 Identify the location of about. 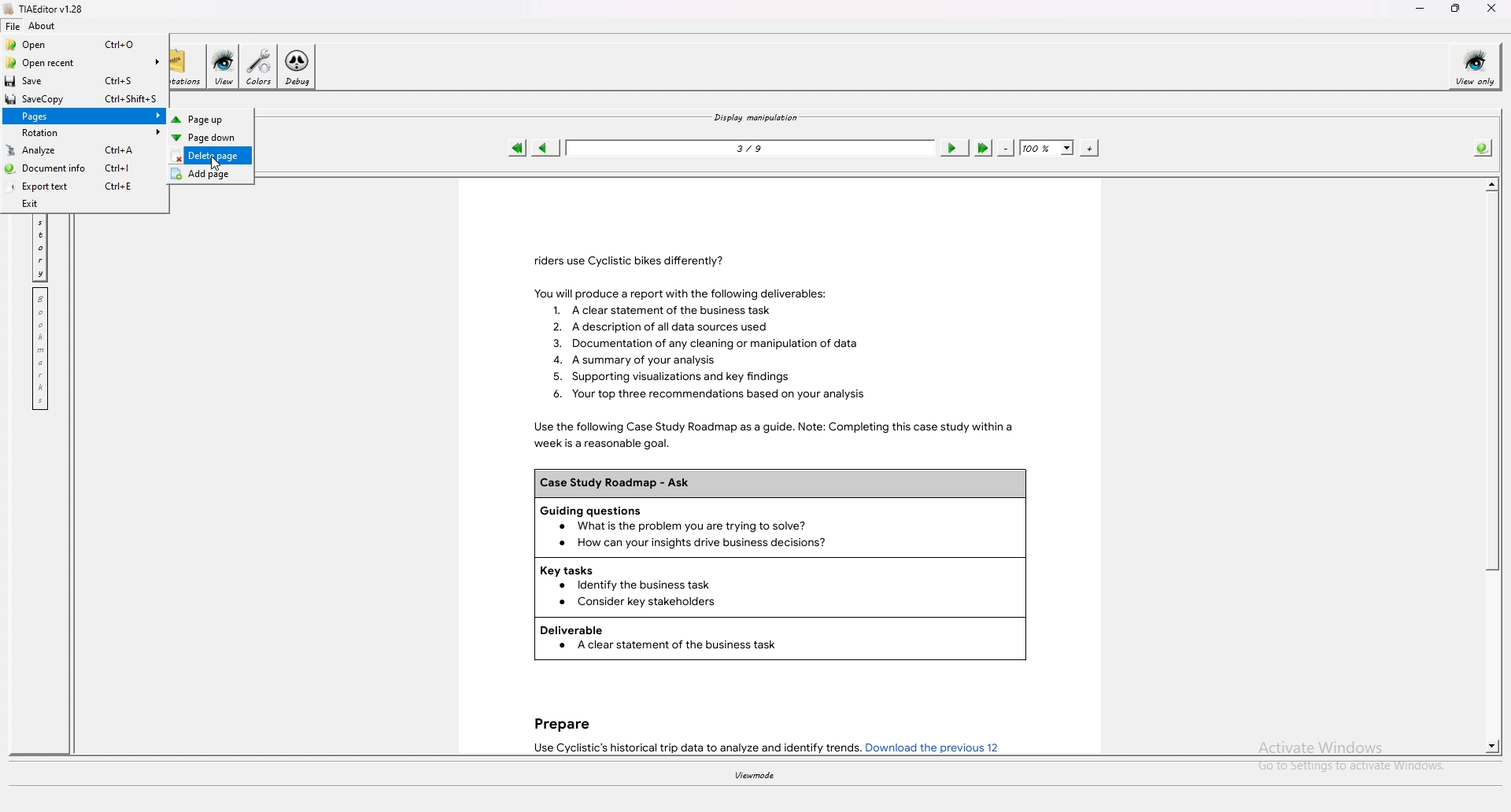
(41, 25).